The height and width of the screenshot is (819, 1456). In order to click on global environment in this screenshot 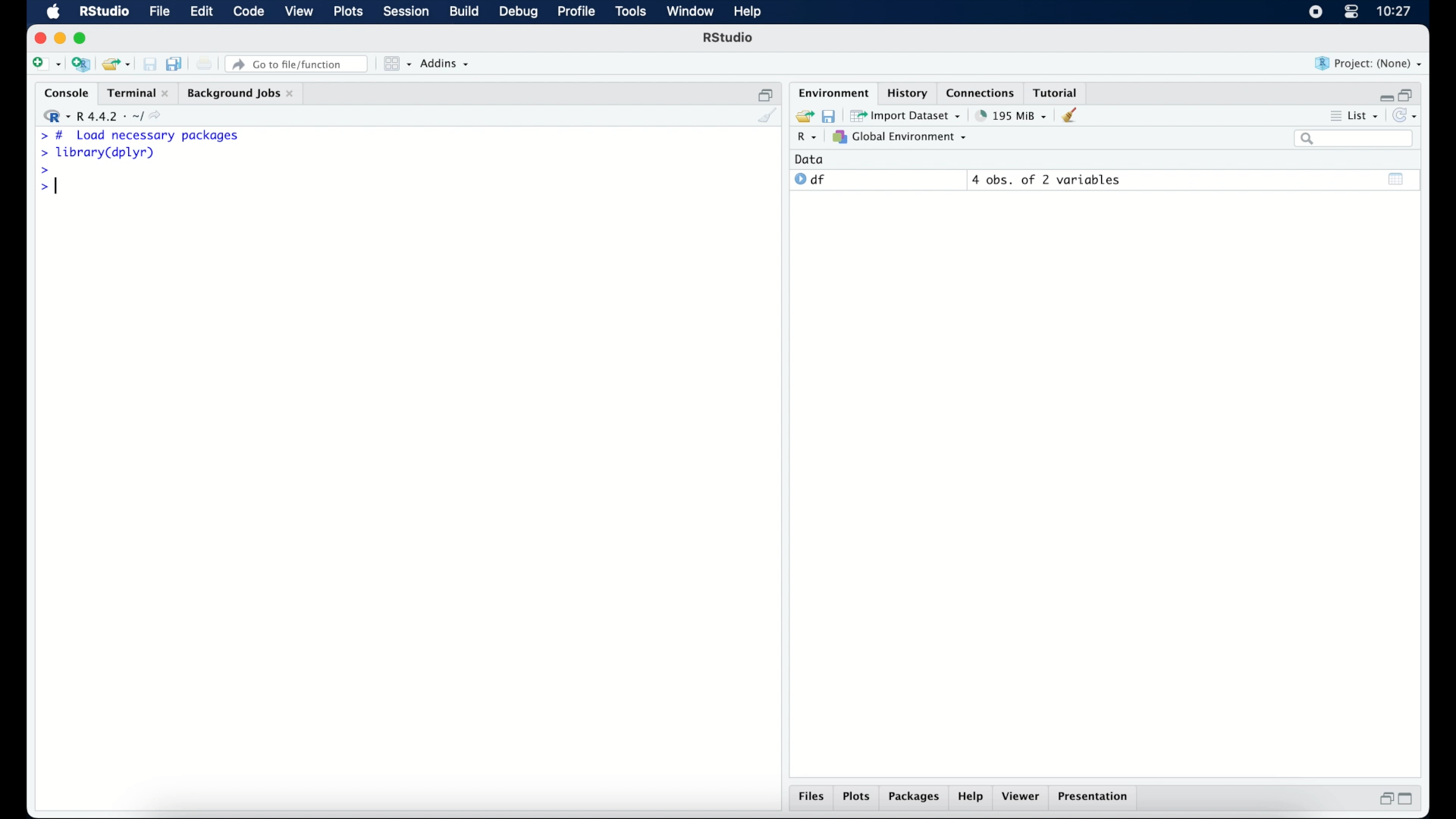, I will do `click(900, 137)`.